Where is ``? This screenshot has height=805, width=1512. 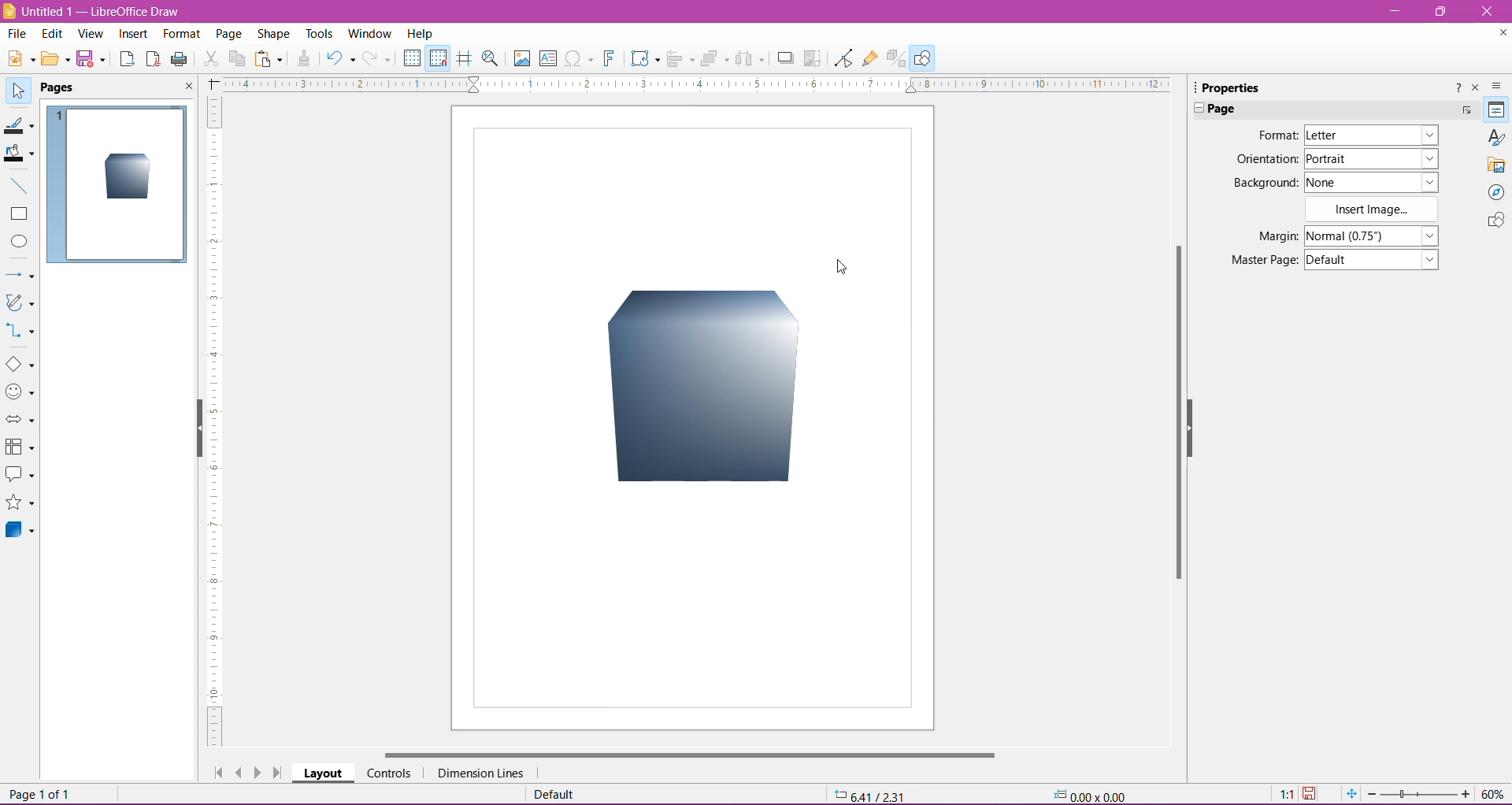  is located at coordinates (379, 58).